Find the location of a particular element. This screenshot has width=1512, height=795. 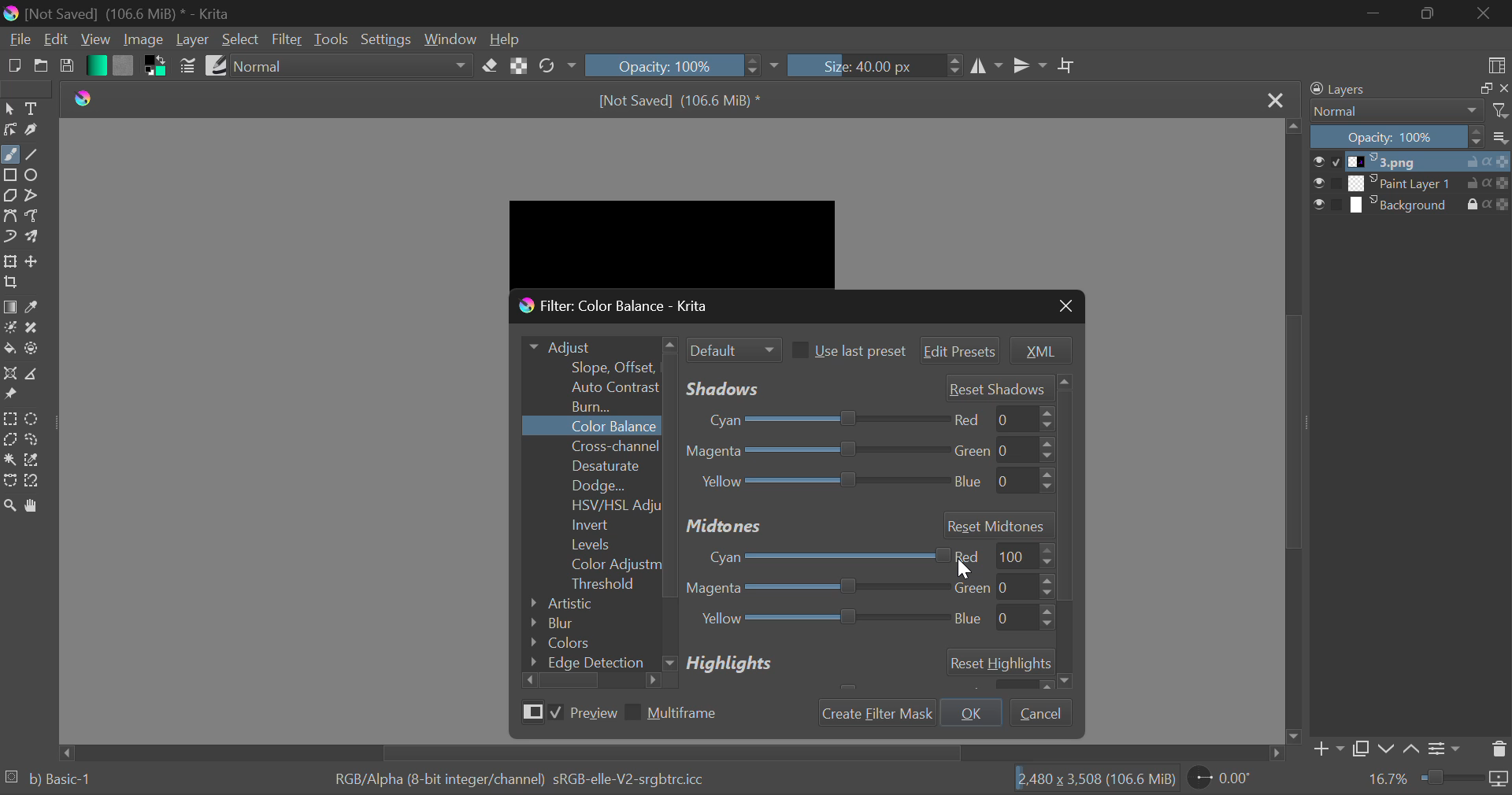

Measurements is located at coordinates (32, 374).